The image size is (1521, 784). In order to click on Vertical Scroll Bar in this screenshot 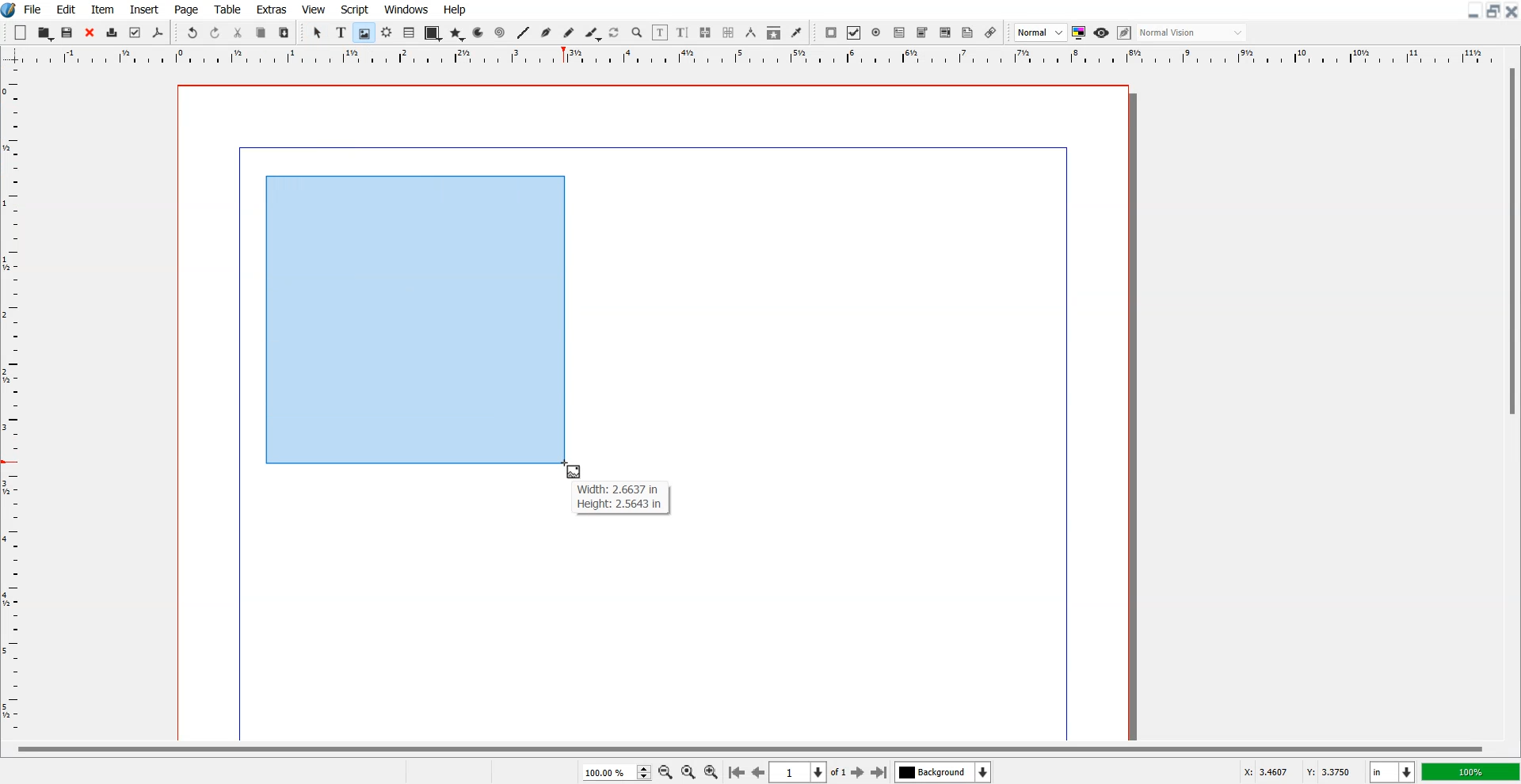, I will do `click(1510, 401)`.